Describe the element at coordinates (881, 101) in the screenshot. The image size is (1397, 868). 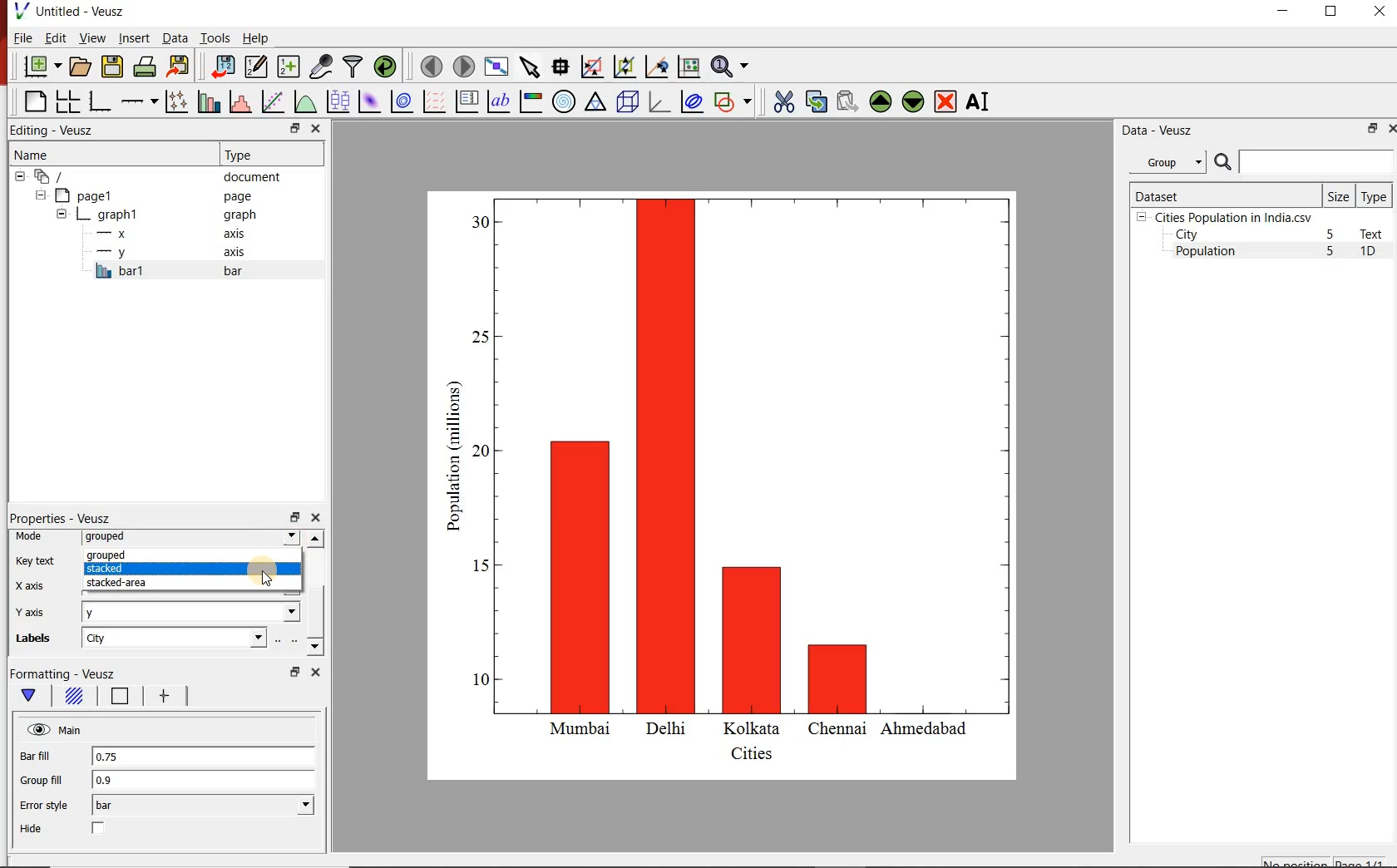
I see `move the selected widget up` at that location.